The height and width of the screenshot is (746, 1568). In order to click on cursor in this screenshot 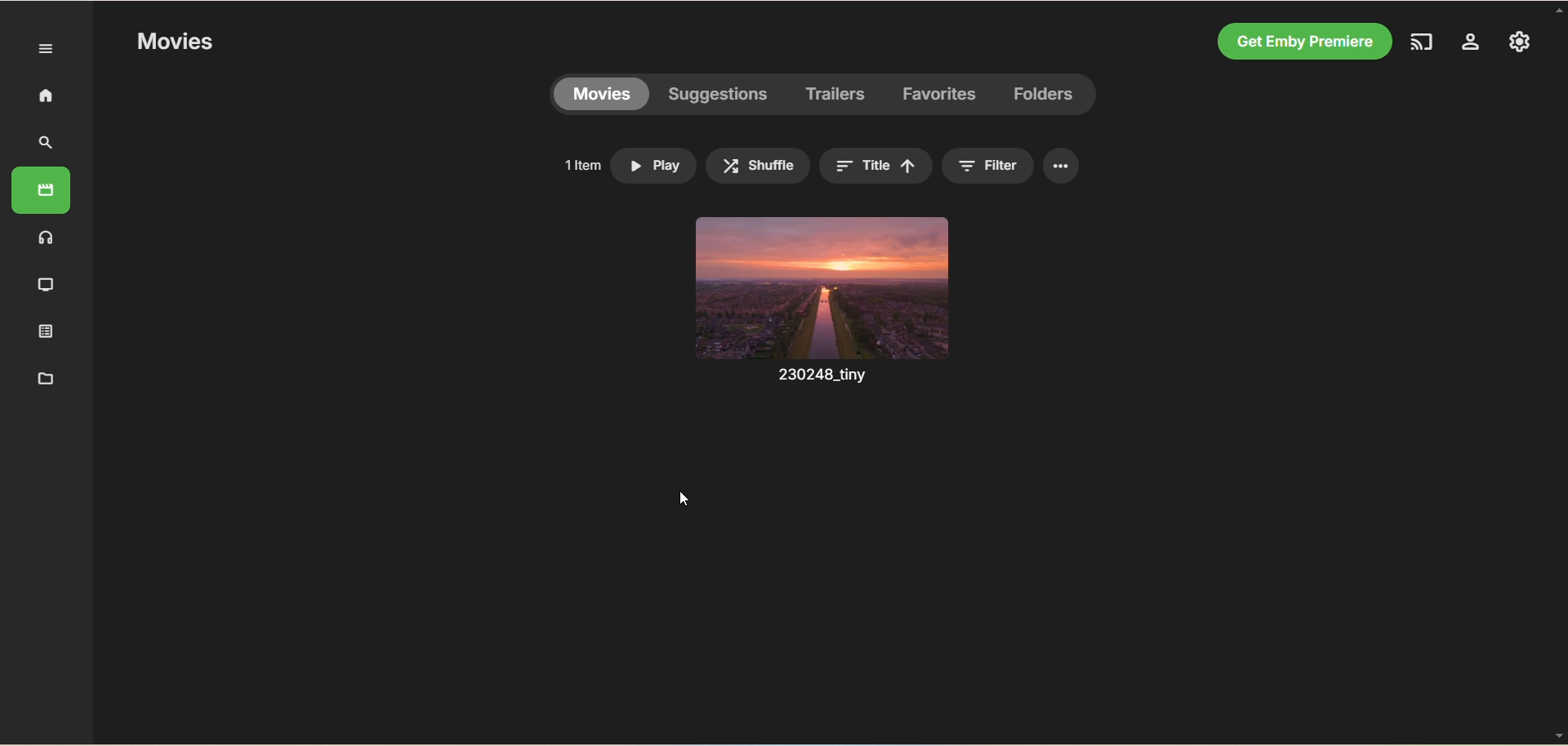, I will do `click(682, 498)`.